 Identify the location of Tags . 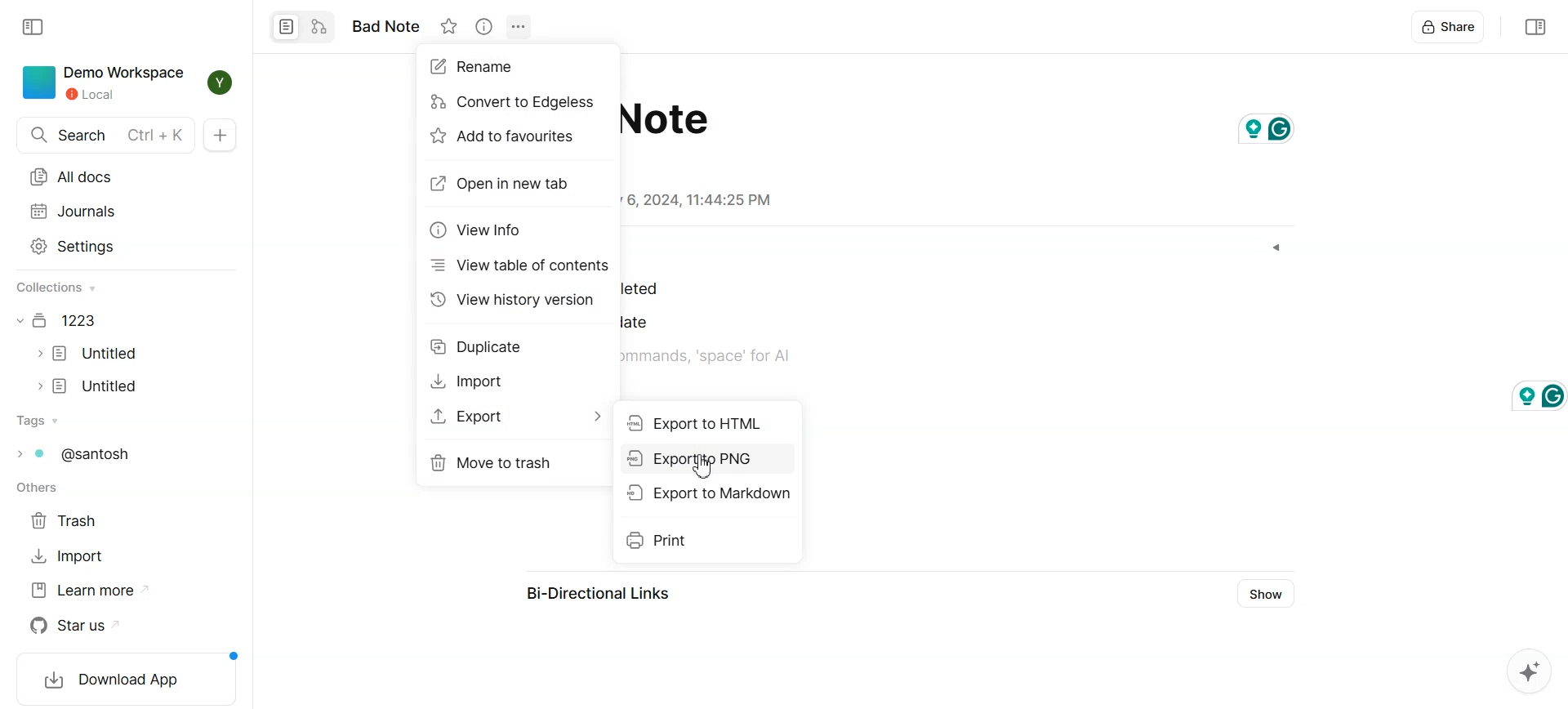
(73, 453).